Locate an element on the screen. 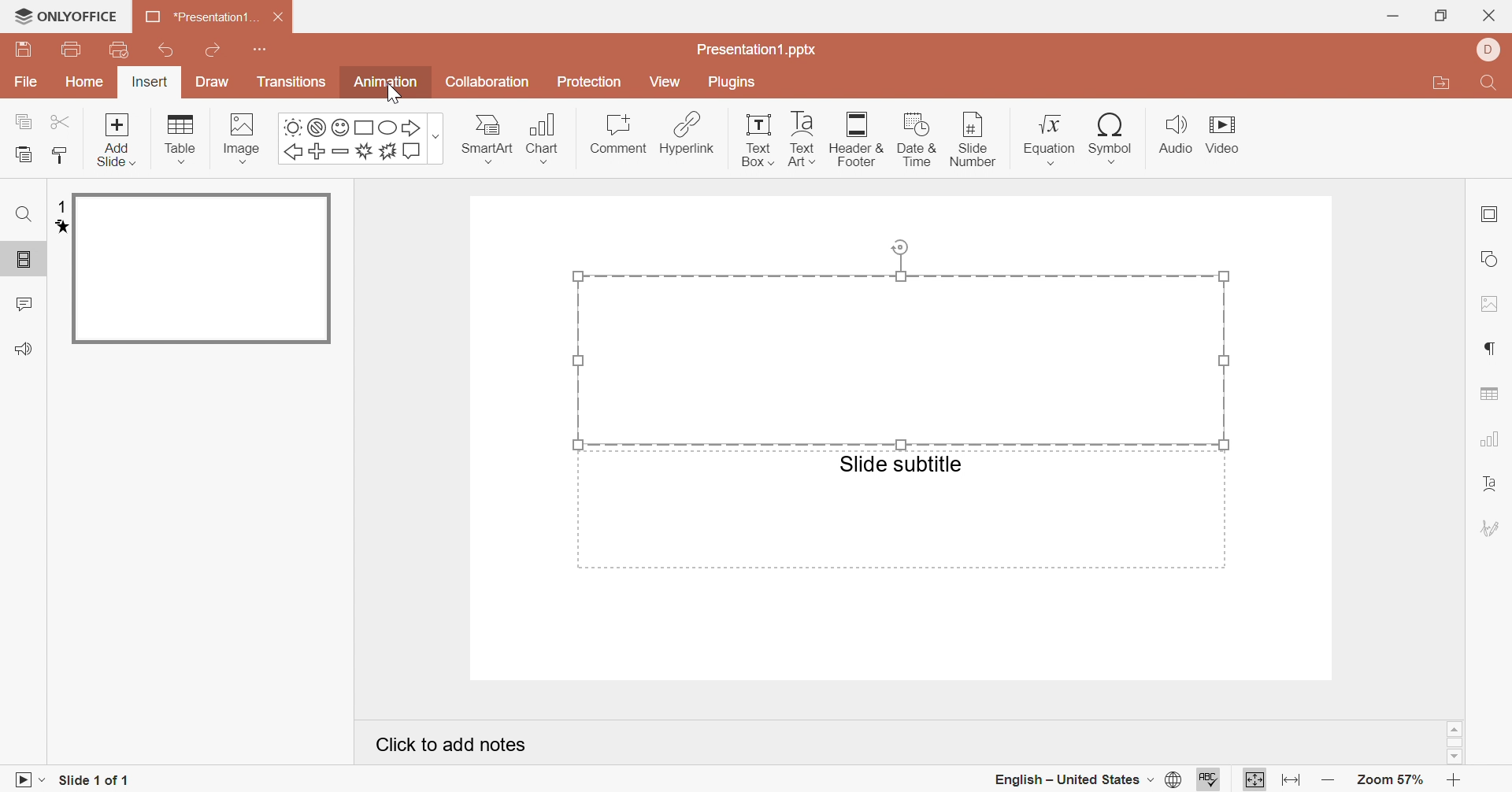  paragraph settings is located at coordinates (1487, 349).